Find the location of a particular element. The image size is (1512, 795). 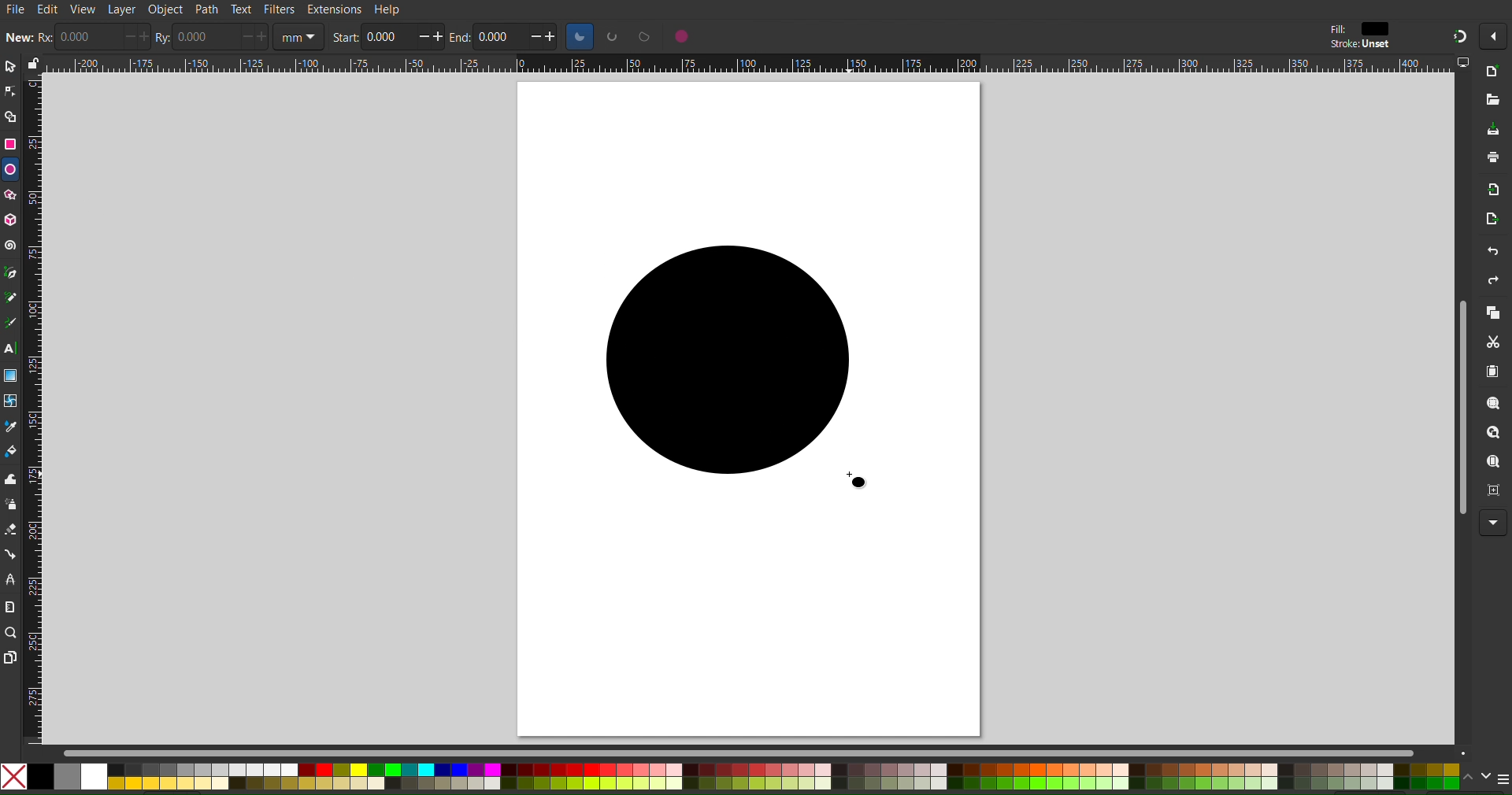

New is located at coordinates (1496, 76).